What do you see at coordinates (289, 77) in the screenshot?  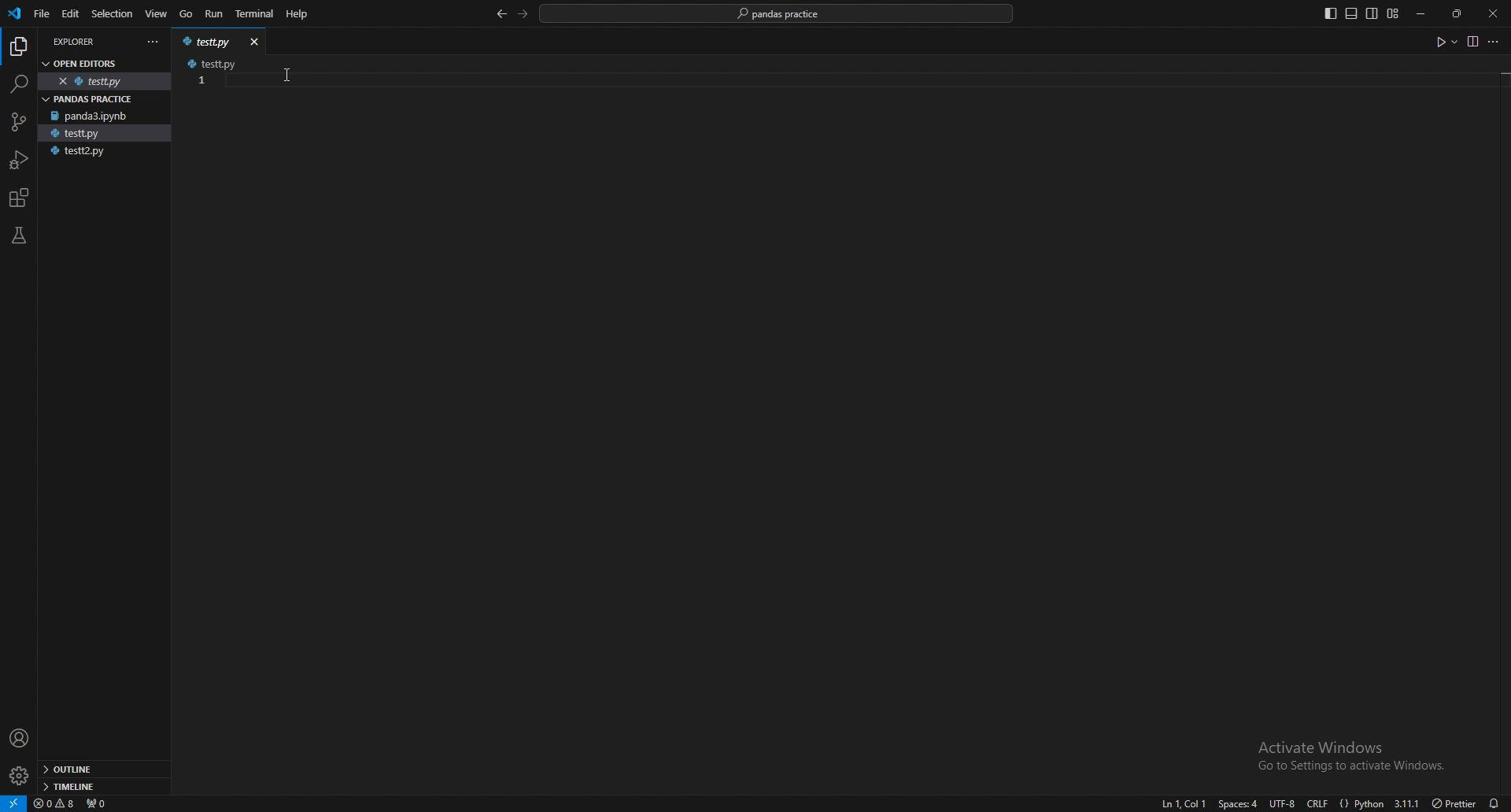 I see `cursor` at bounding box center [289, 77].